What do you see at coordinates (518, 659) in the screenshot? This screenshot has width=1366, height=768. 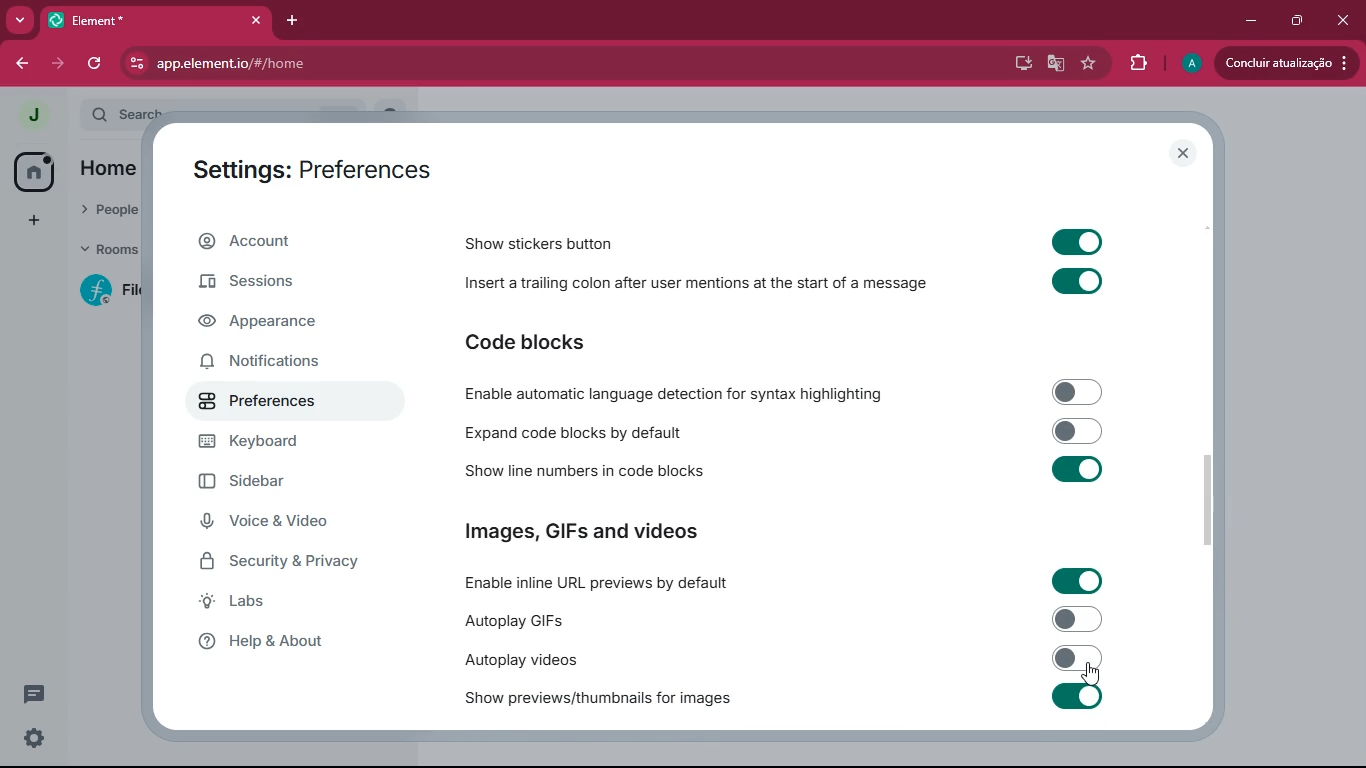 I see `autoplay videos` at bounding box center [518, 659].